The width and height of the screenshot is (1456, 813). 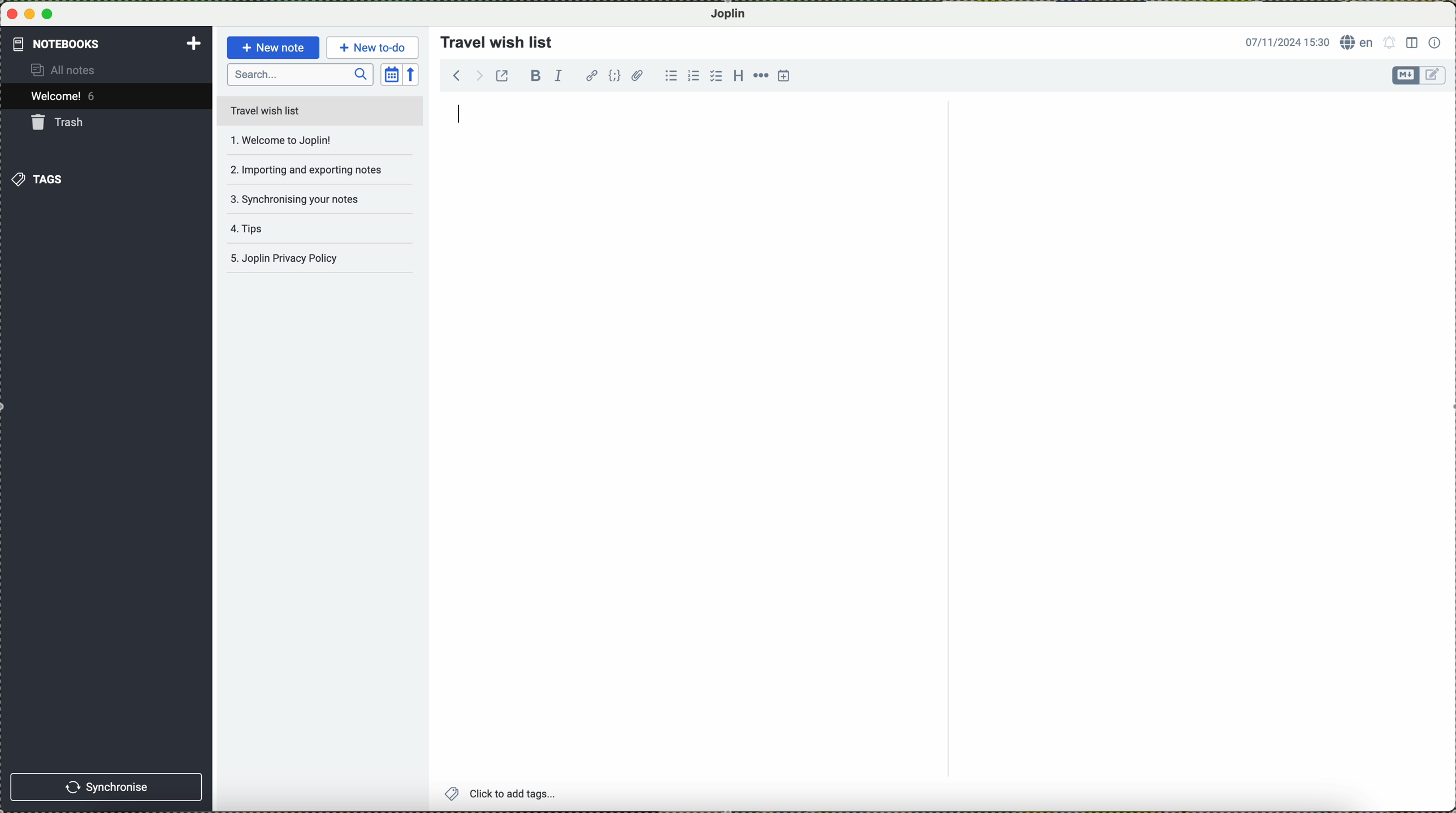 What do you see at coordinates (317, 261) in the screenshot?
I see `Joplin privacy policy` at bounding box center [317, 261].